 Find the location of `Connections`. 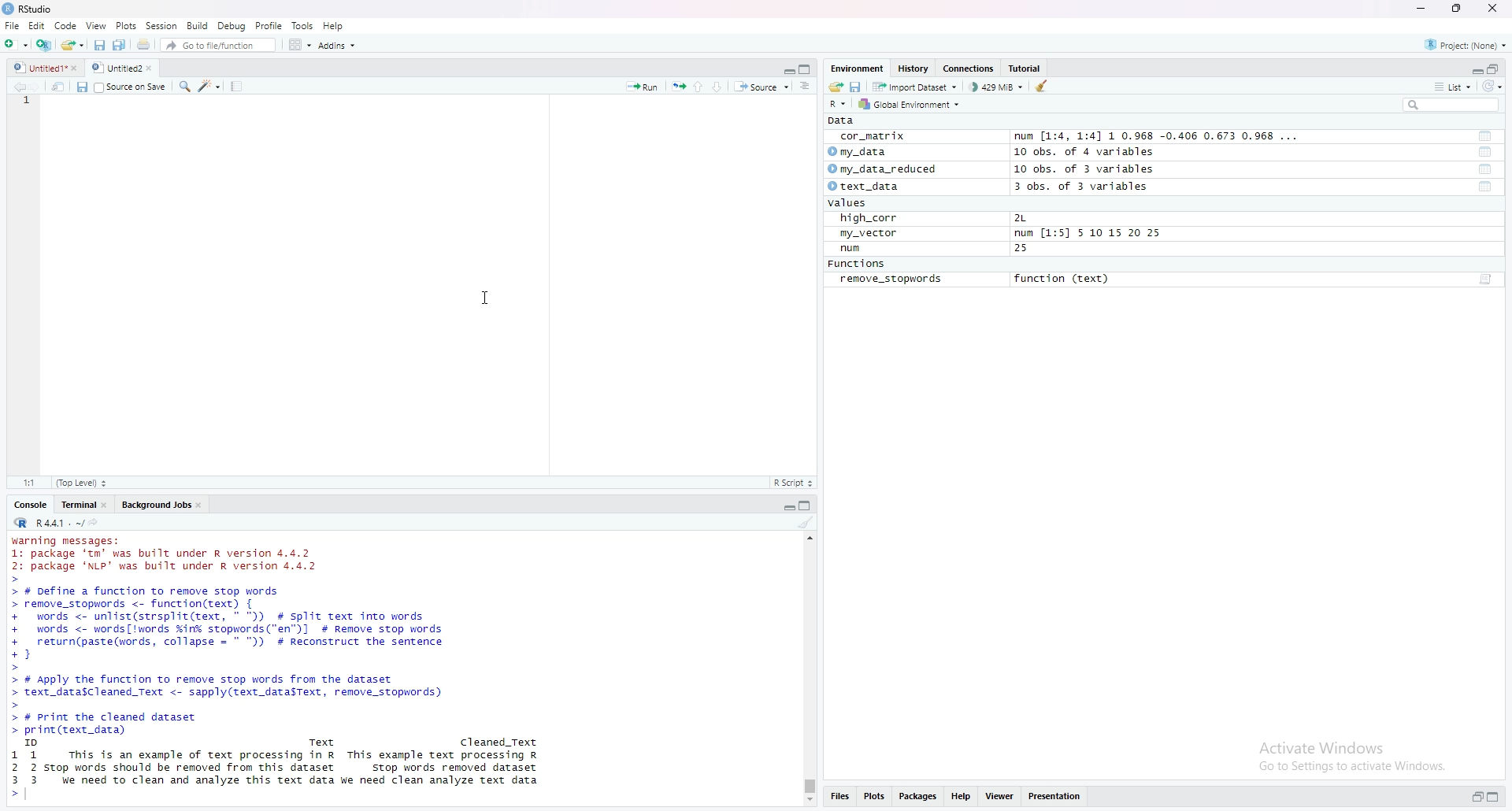

Connections is located at coordinates (969, 69).